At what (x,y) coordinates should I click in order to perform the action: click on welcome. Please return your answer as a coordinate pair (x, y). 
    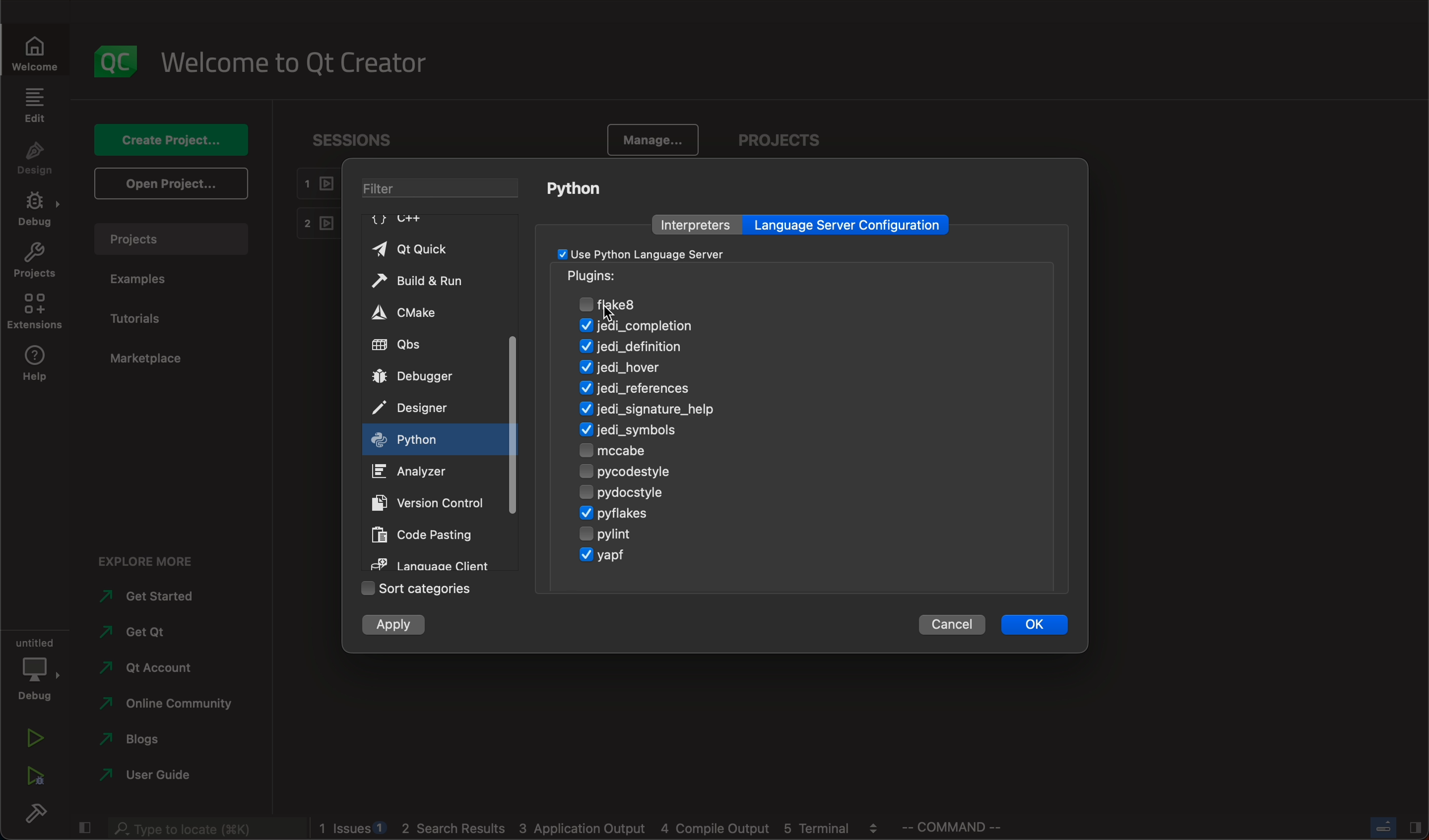
    Looking at the image, I should click on (33, 51).